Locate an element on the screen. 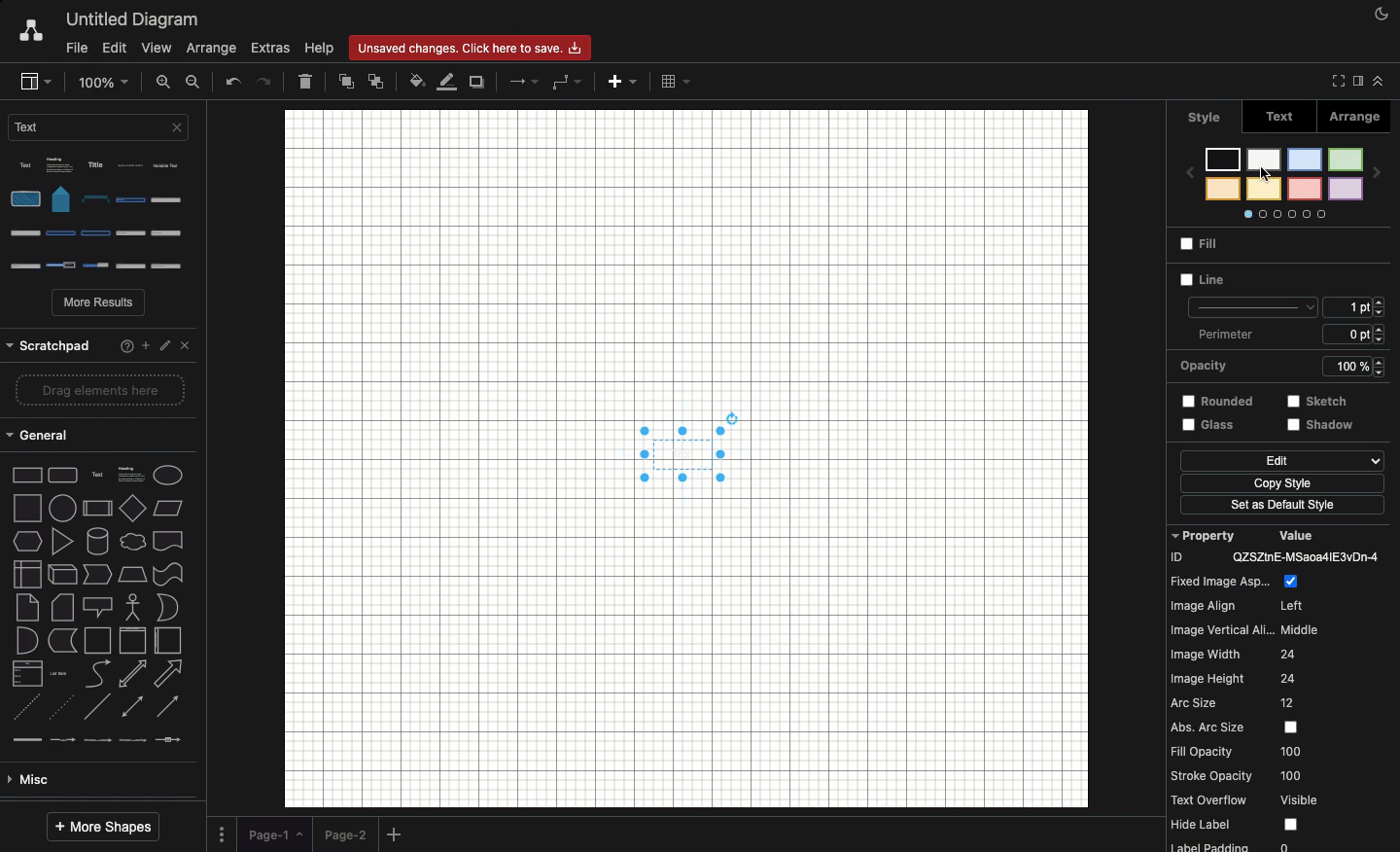 Image resolution: width=1400 pixels, height=852 pixels. Night  is located at coordinates (1382, 13).